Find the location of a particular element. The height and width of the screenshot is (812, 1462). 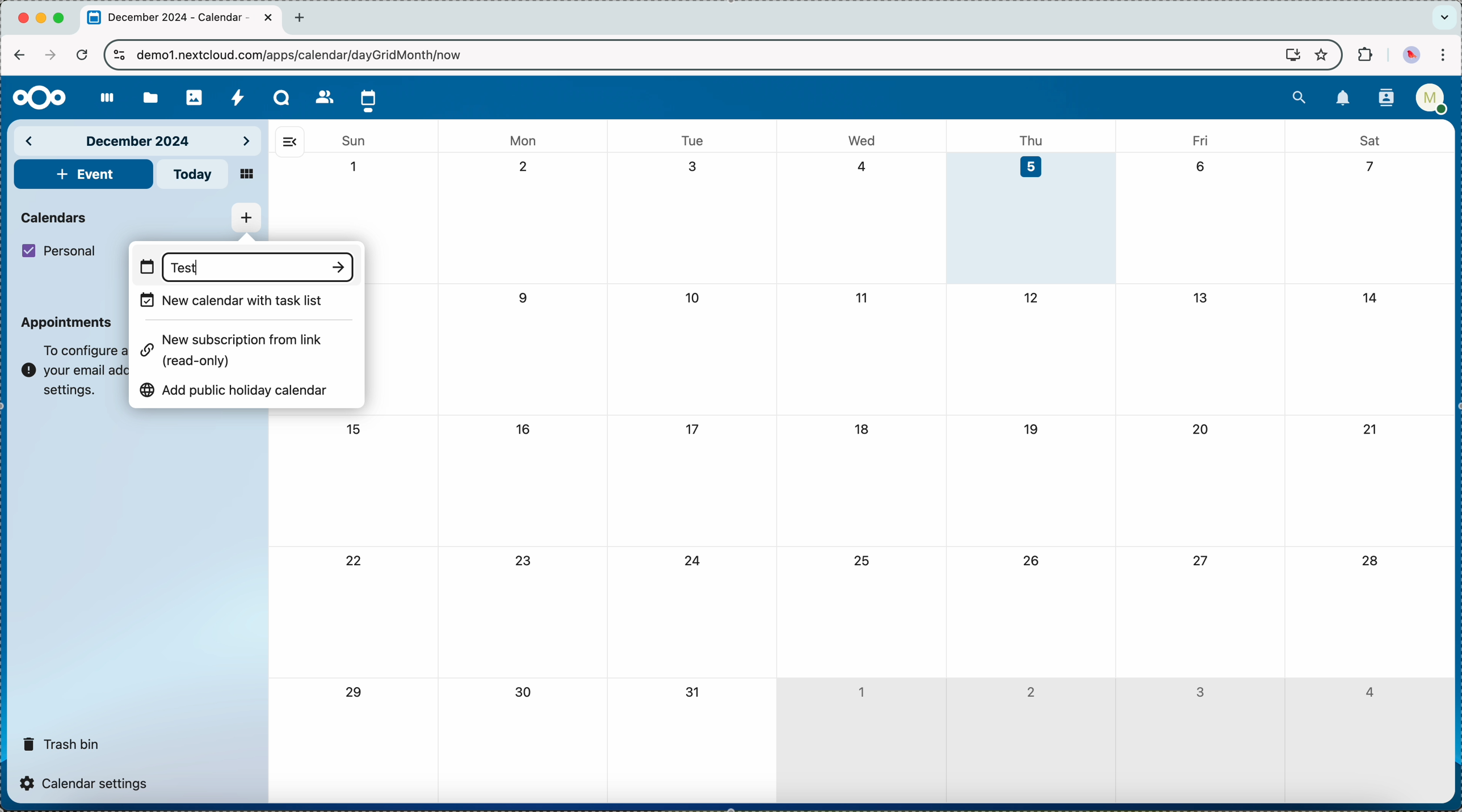

extensions is located at coordinates (1363, 56).